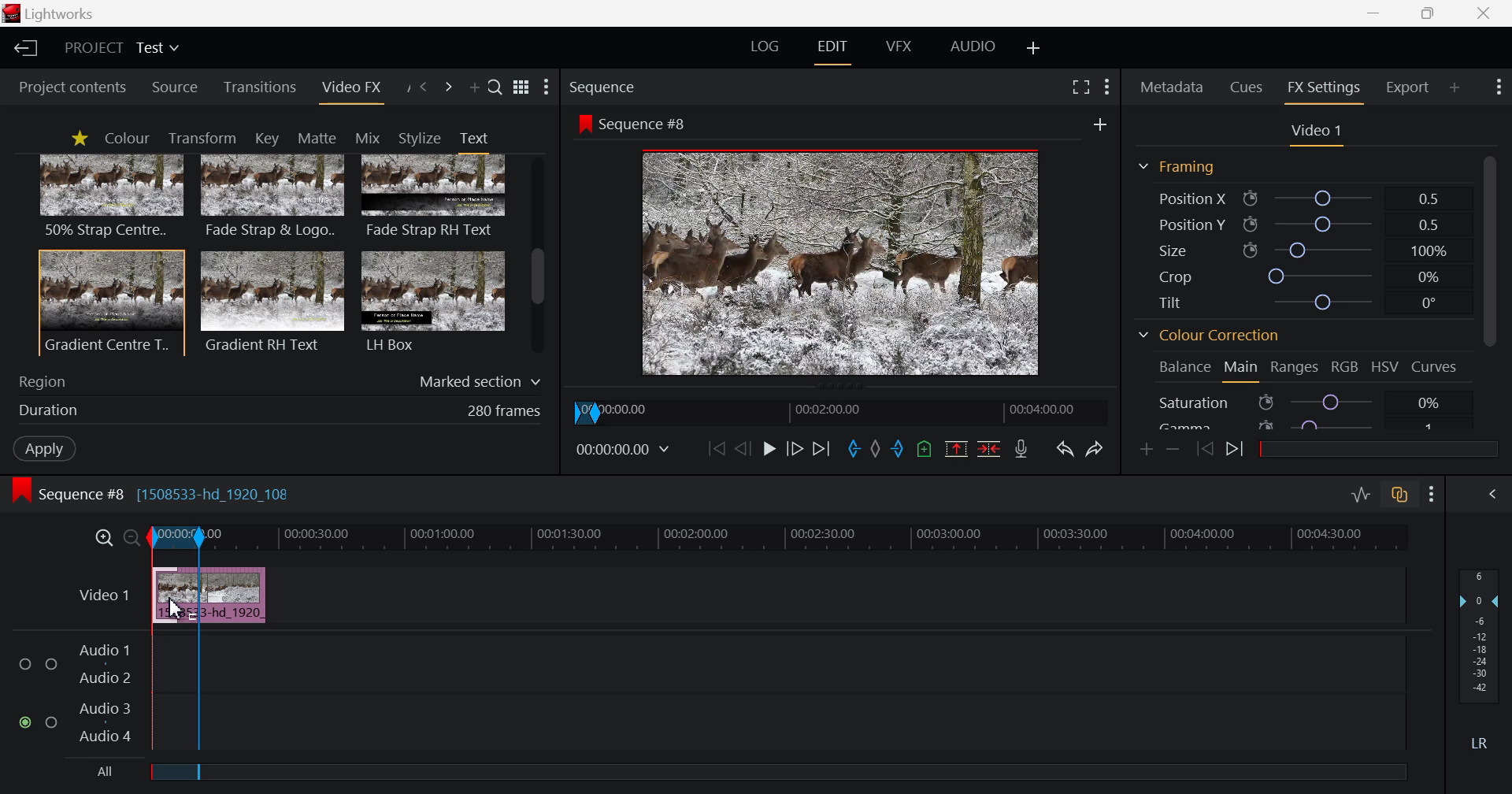  I want to click on Back to homepage, so click(23, 48).